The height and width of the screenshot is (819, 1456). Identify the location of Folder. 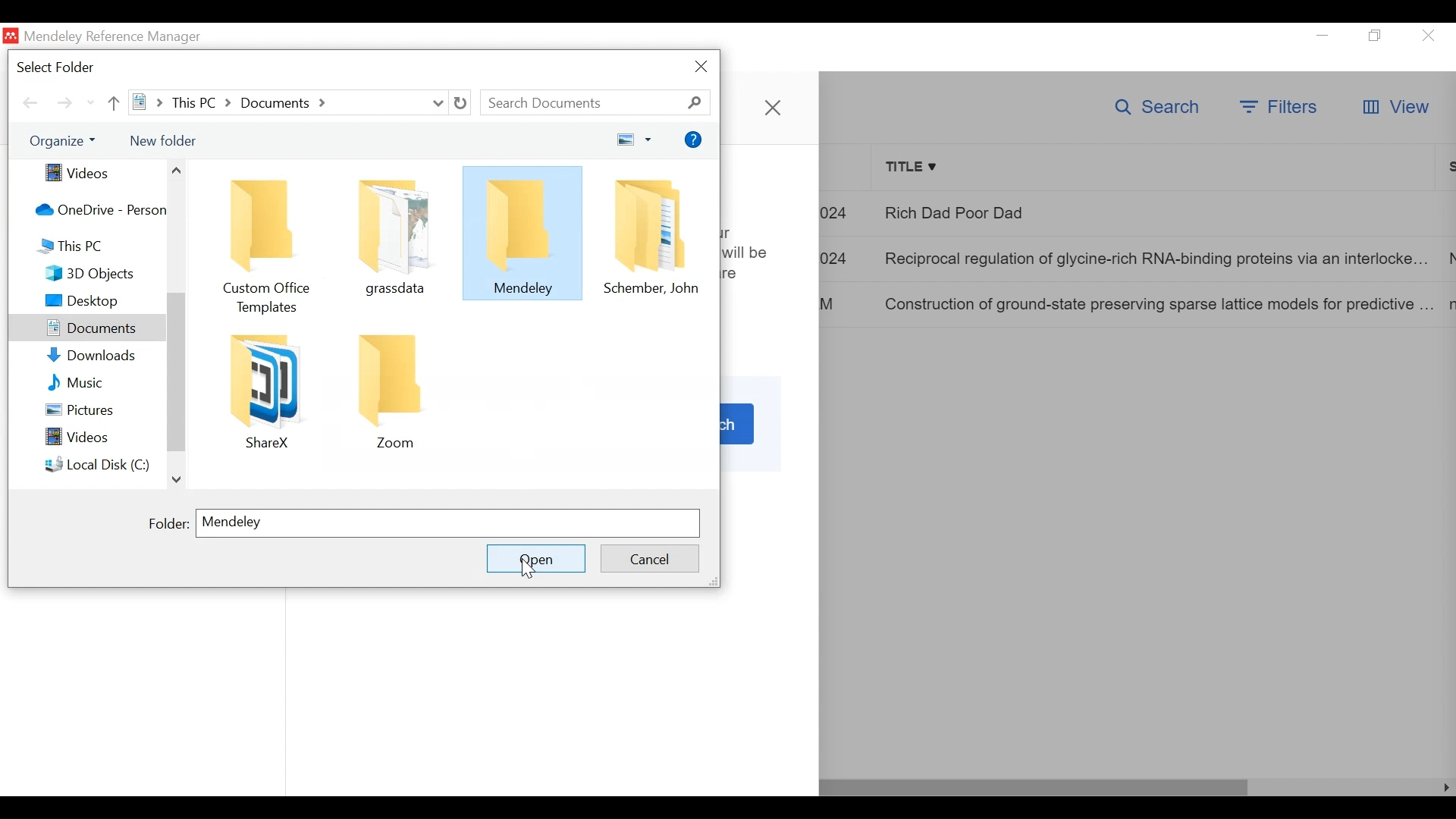
(168, 522).